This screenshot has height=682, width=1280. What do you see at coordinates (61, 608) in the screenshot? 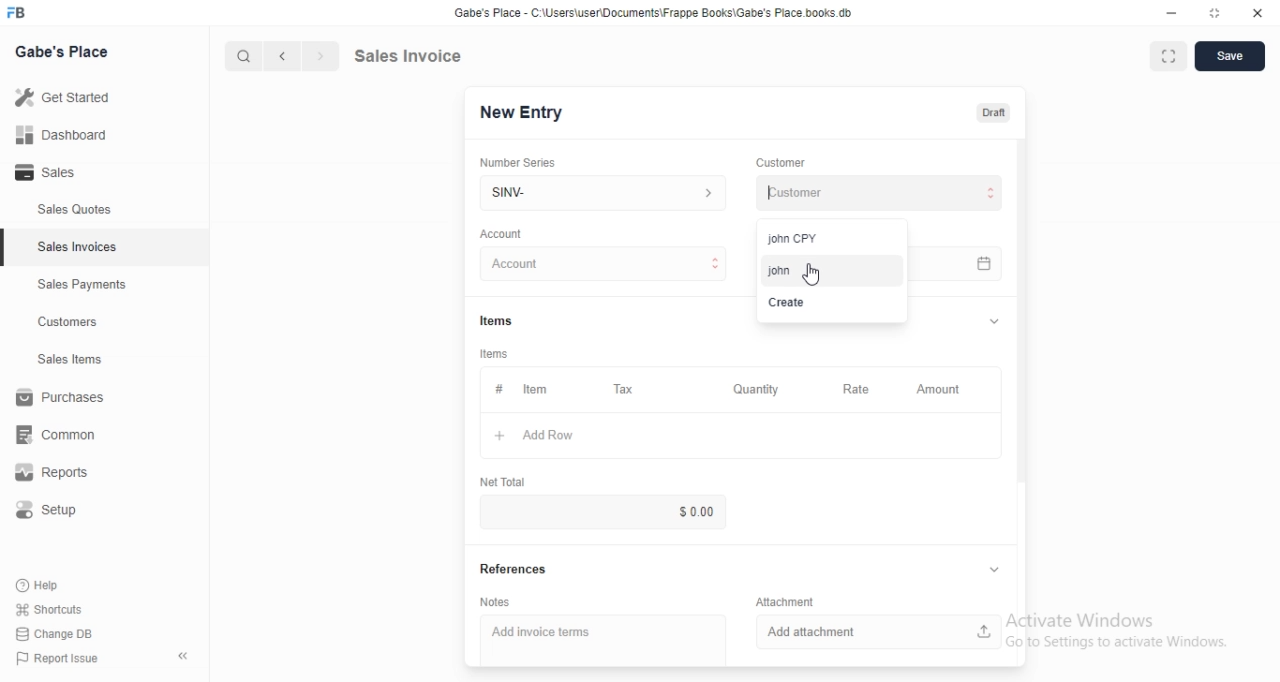
I see `Shortcuts` at bounding box center [61, 608].